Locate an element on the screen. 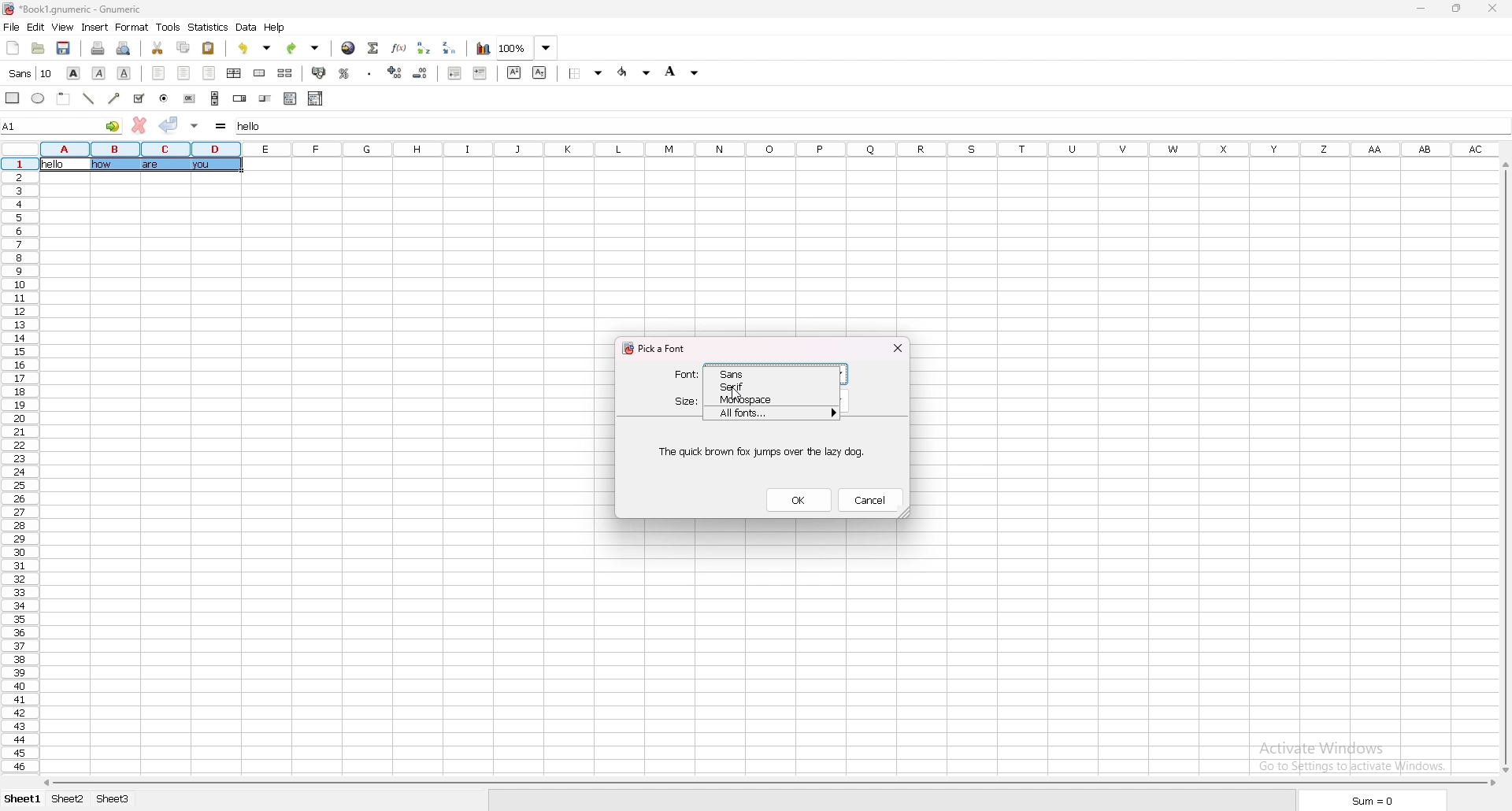 This screenshot has width=1512, height=811. selected cell input is located at coordinates (256, 126).